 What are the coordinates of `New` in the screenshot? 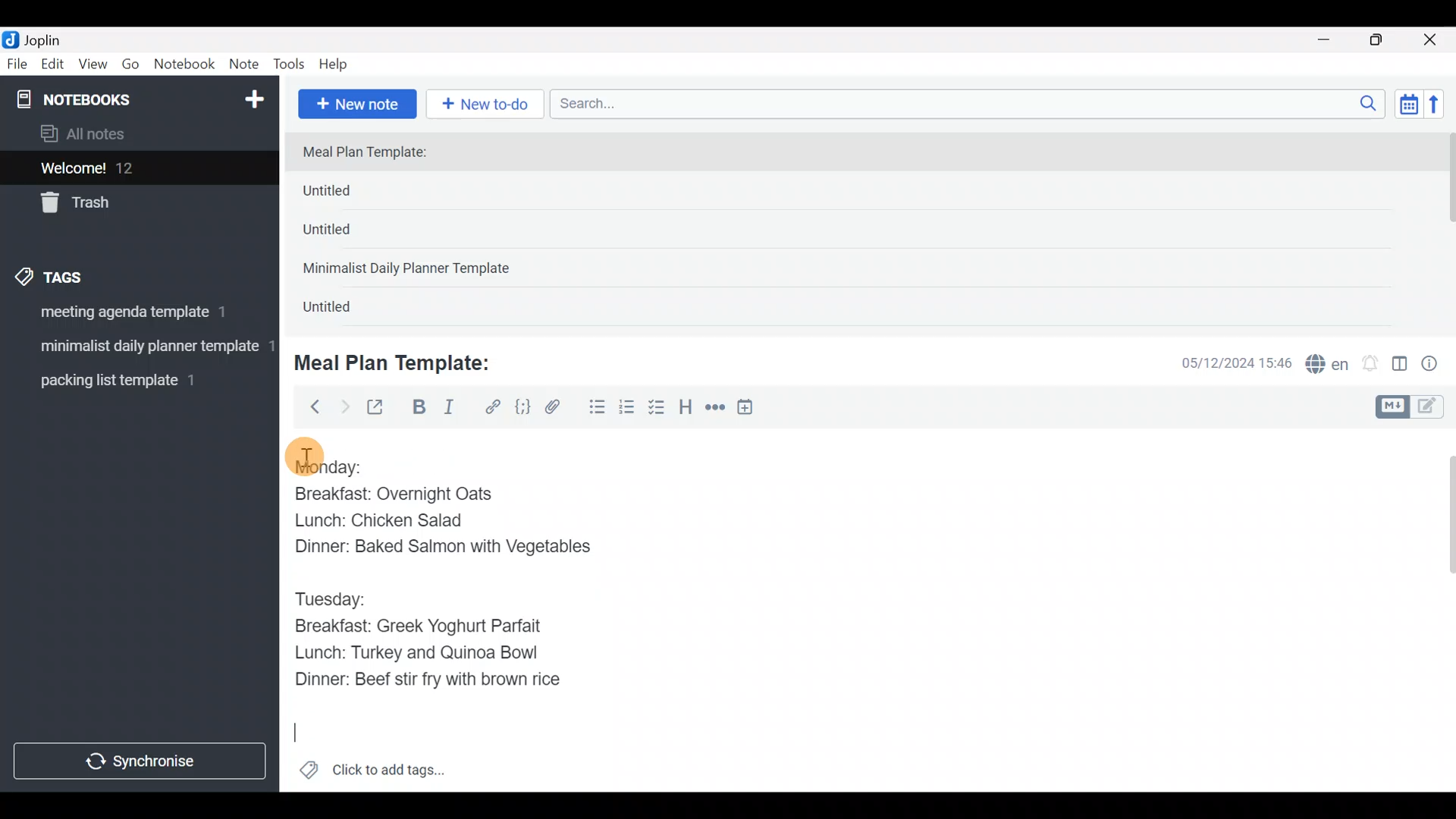 It's located at (253, 96).